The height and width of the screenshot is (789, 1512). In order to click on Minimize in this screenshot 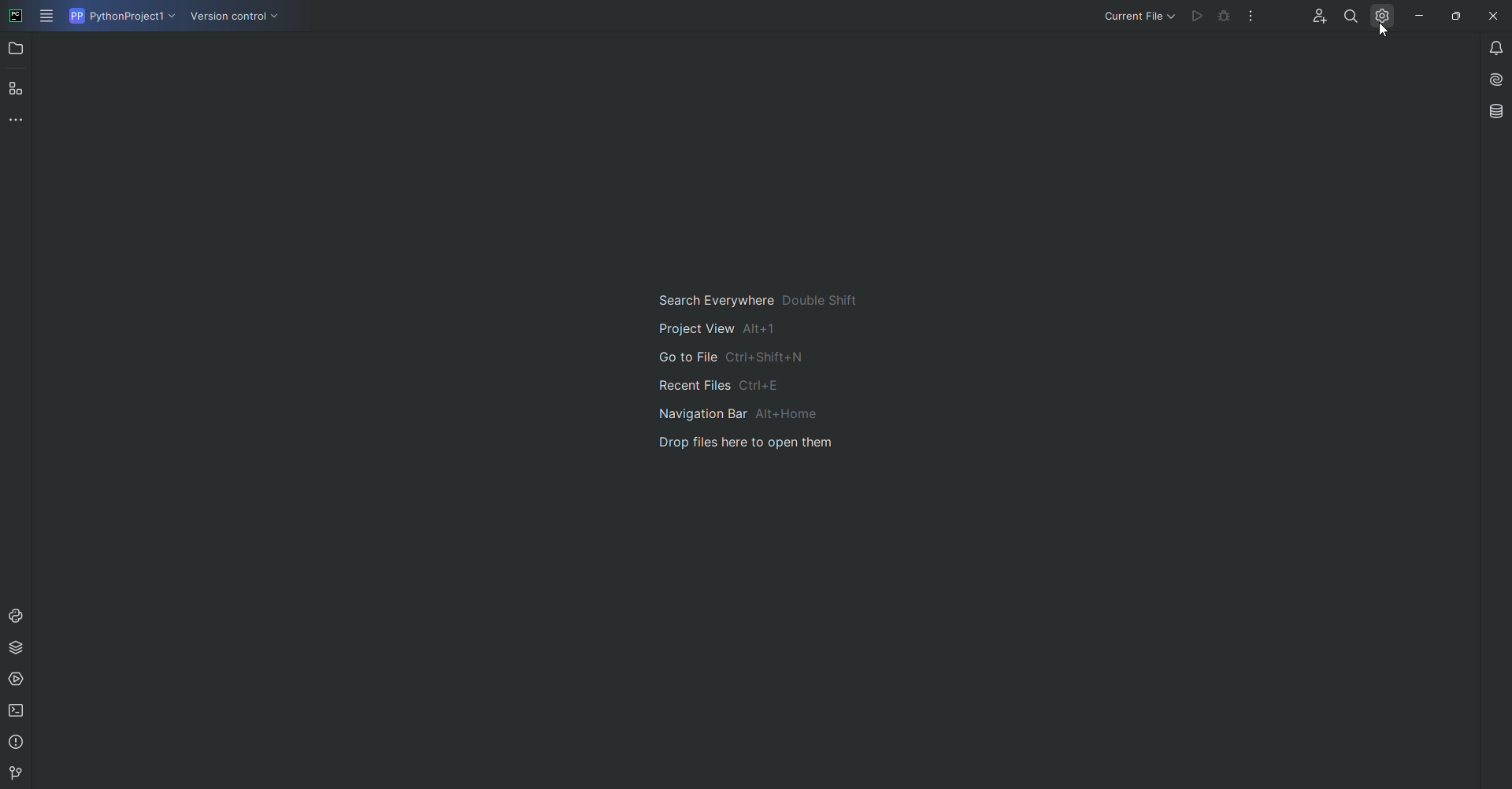, I will do `click(1415, 16)`.